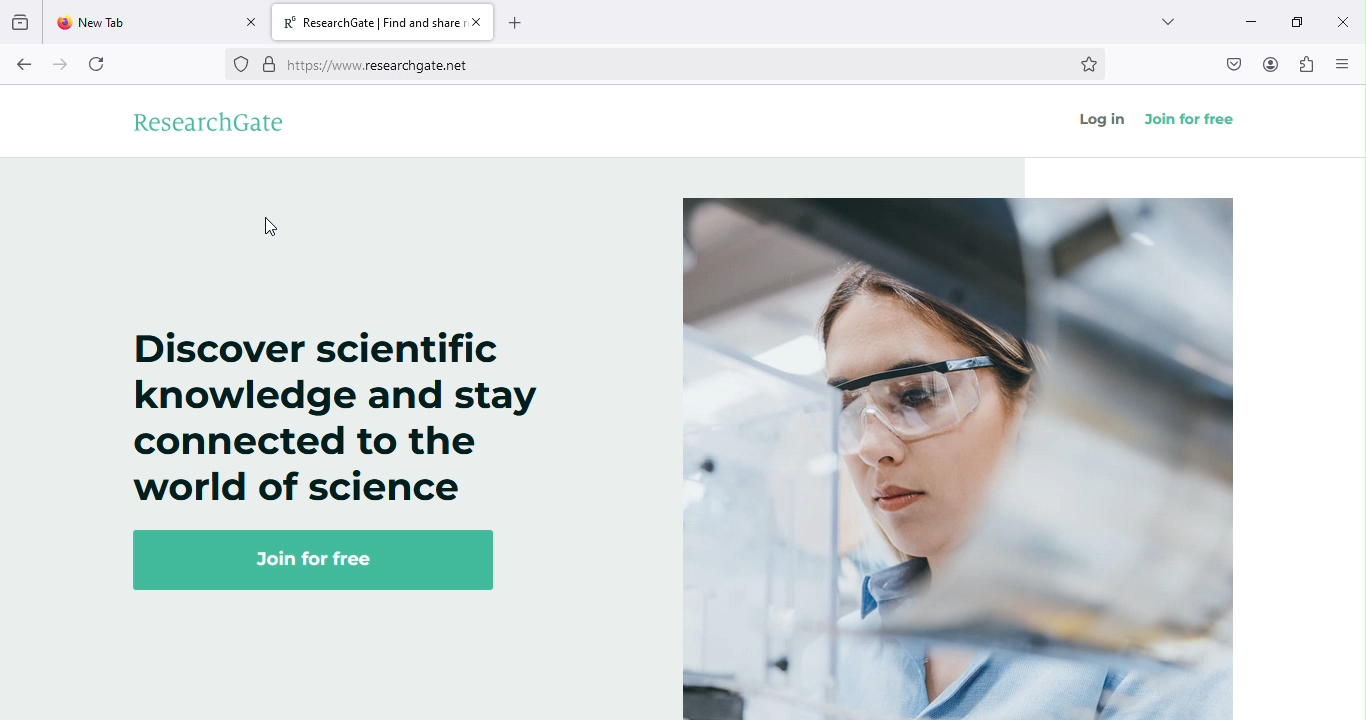  I want to click on open/ close side bar, so click(1348, 65).